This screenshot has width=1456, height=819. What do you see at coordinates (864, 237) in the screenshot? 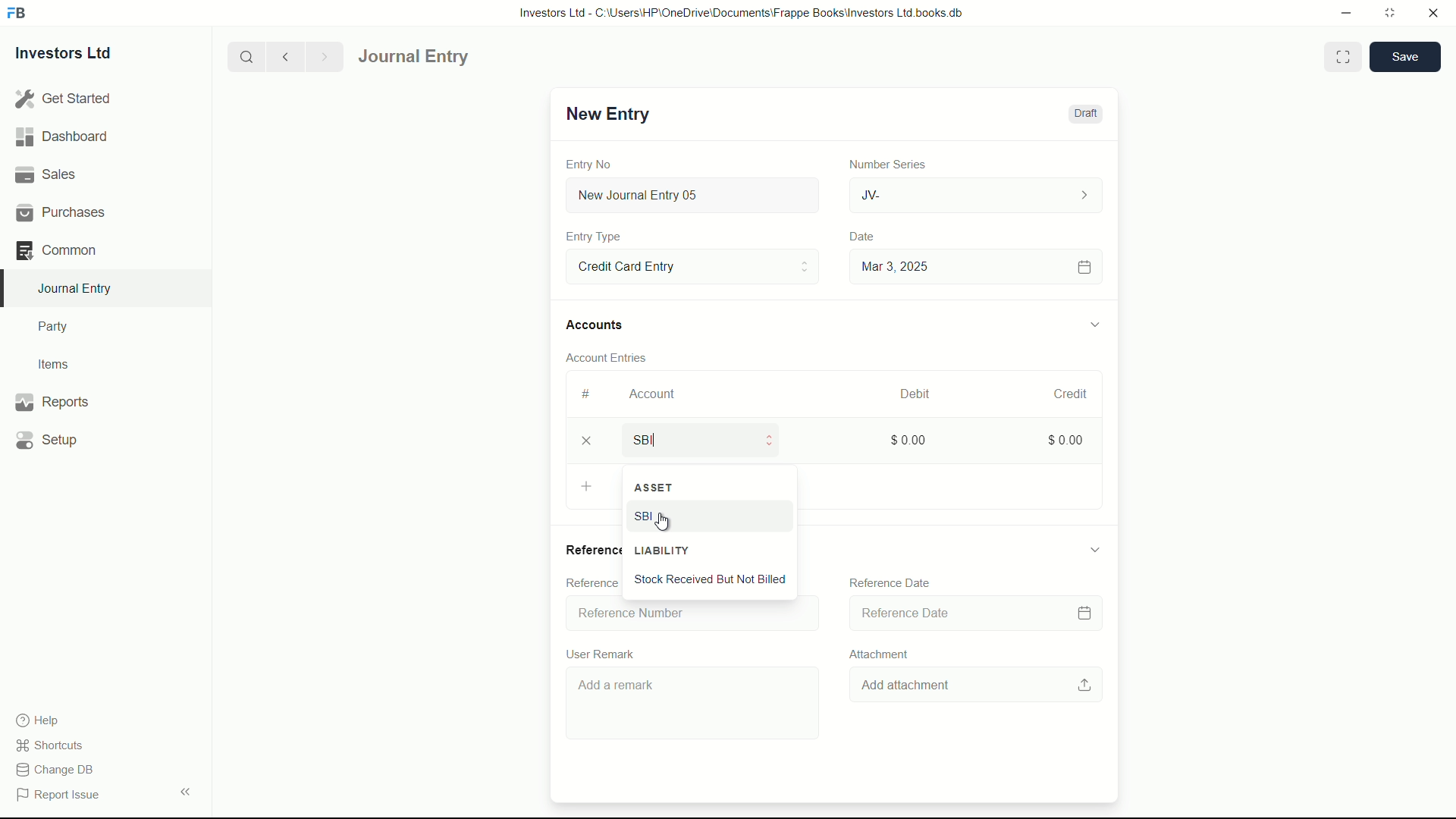
I see `Date` at bounding box center [864, 237].